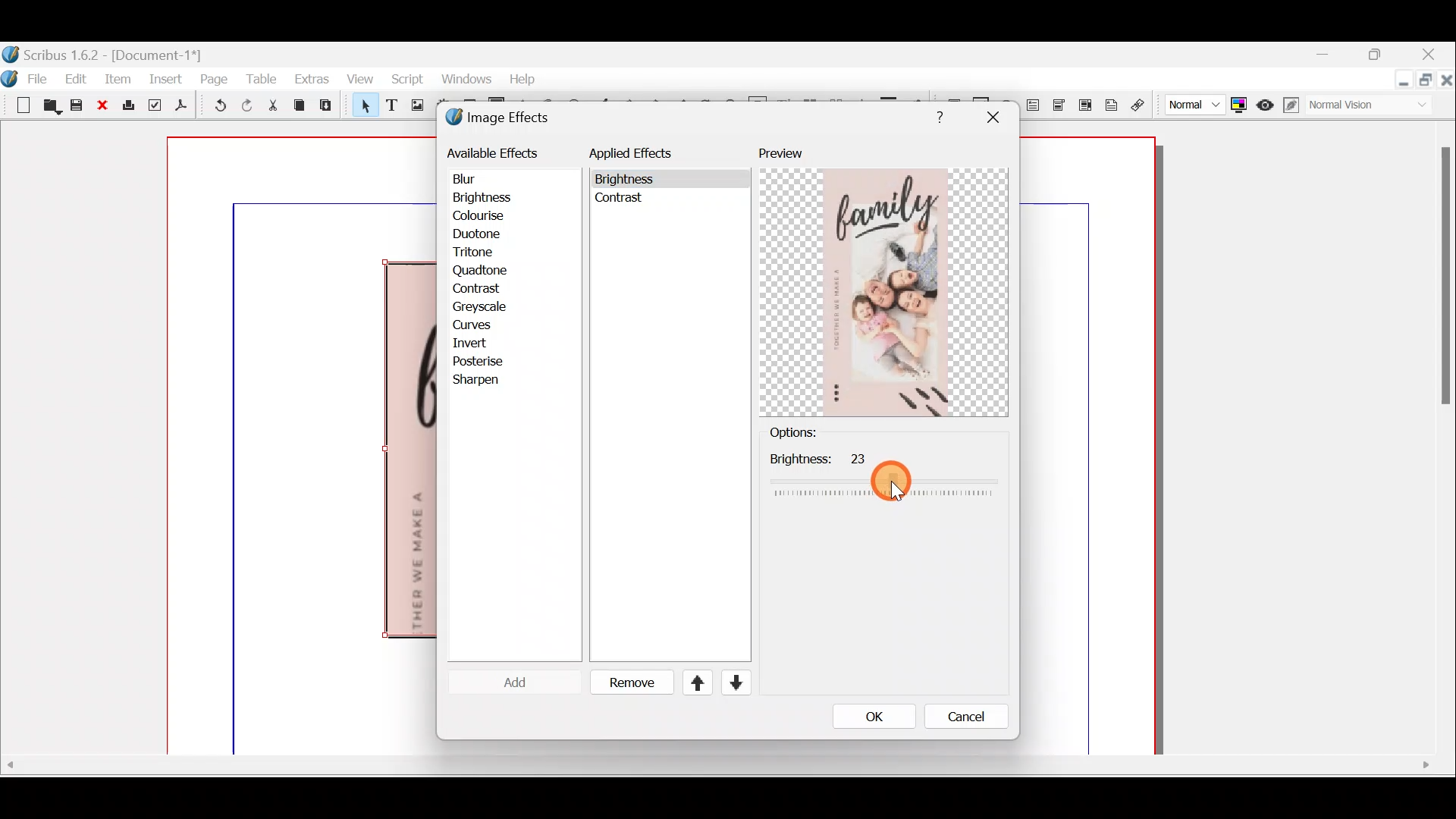  Describe the element at coordinates (1241, 104) in the screenshot. I see `Toggle colour management system` at that location.